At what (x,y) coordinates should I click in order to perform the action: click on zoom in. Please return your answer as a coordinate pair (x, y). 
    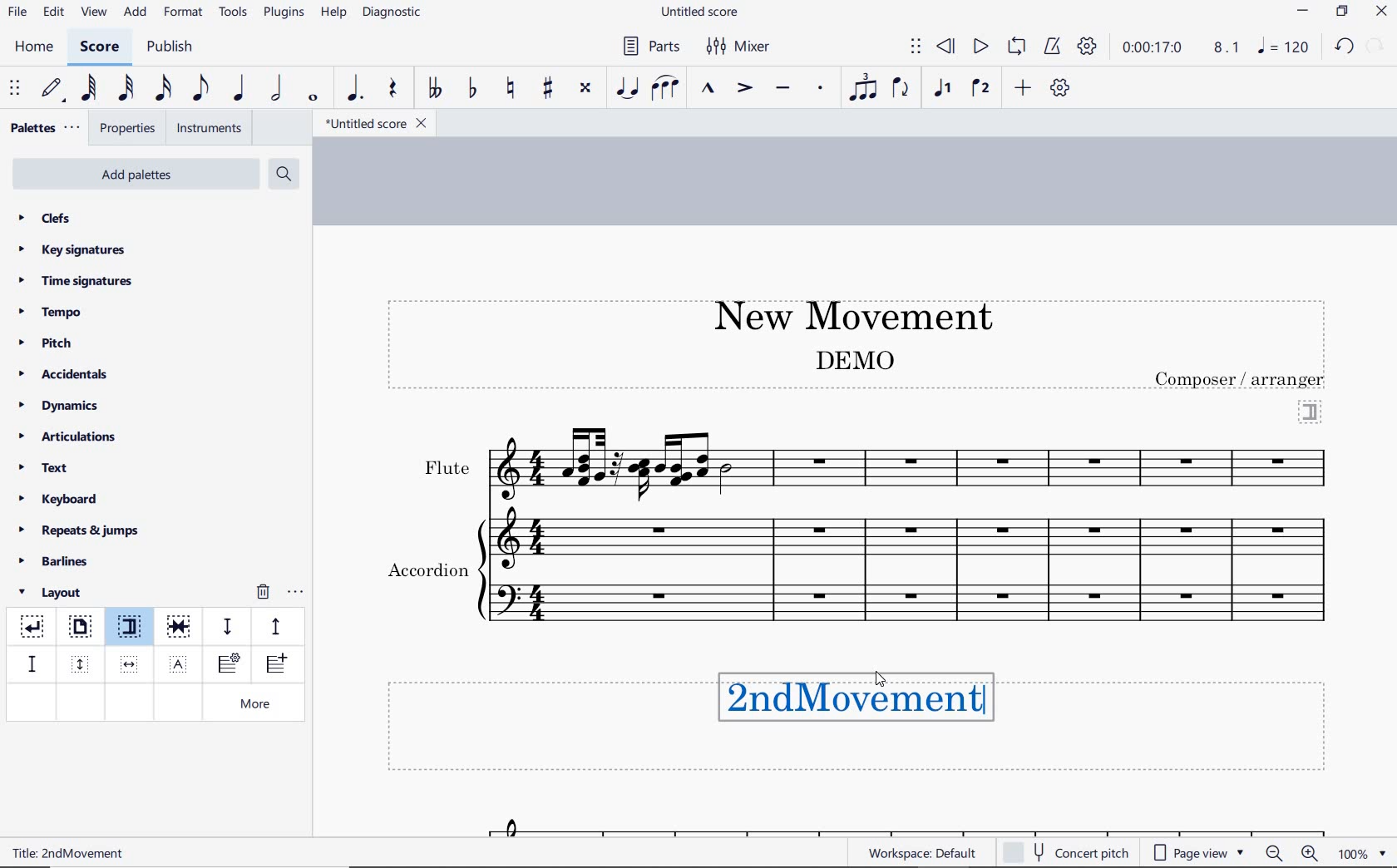
    Looking at the image, I should click on (1313, 855).